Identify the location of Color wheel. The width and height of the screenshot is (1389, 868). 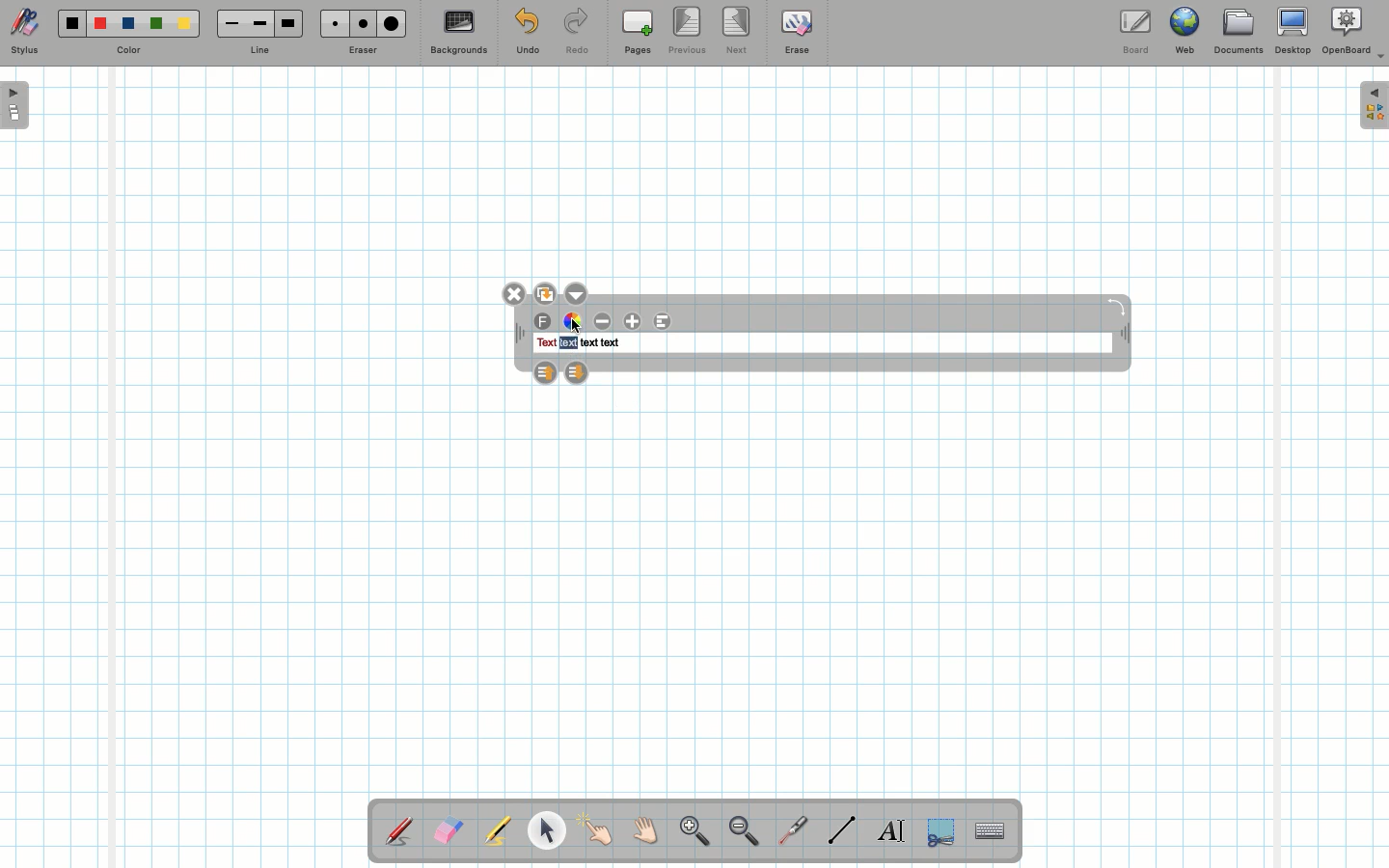
(572, 320).